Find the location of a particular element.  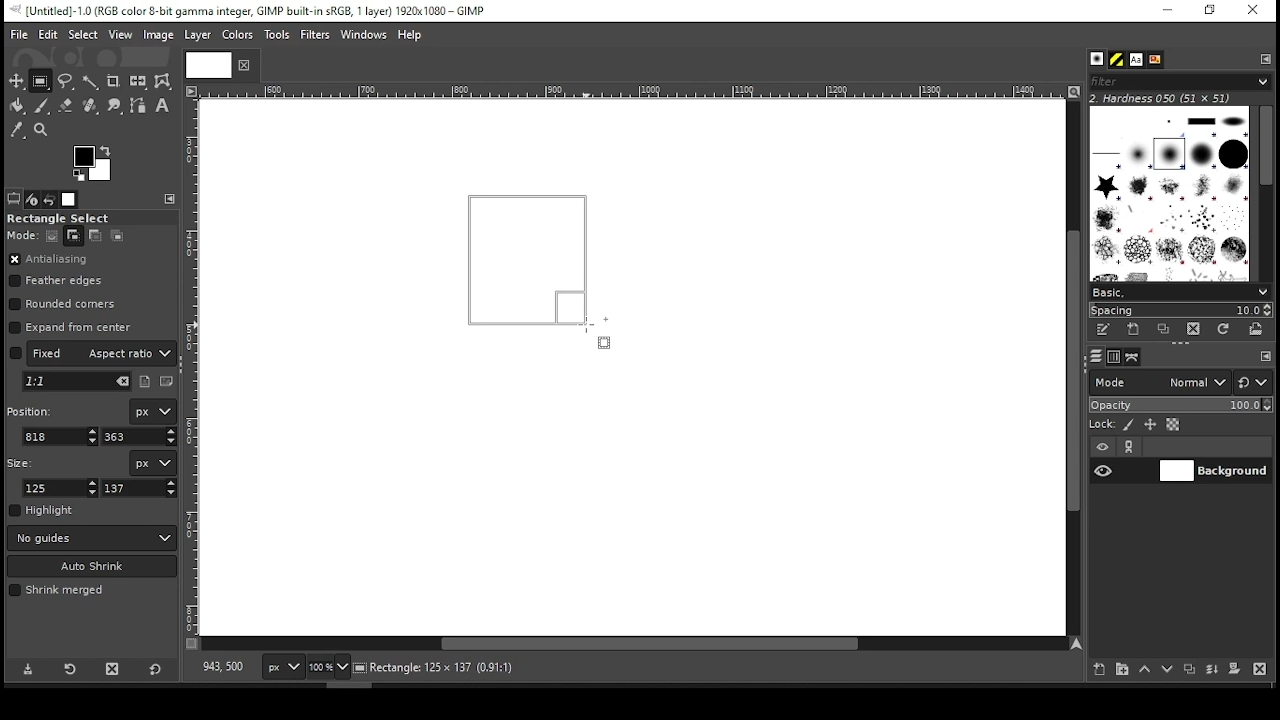

lock: is located at coordinates (1103, 426).